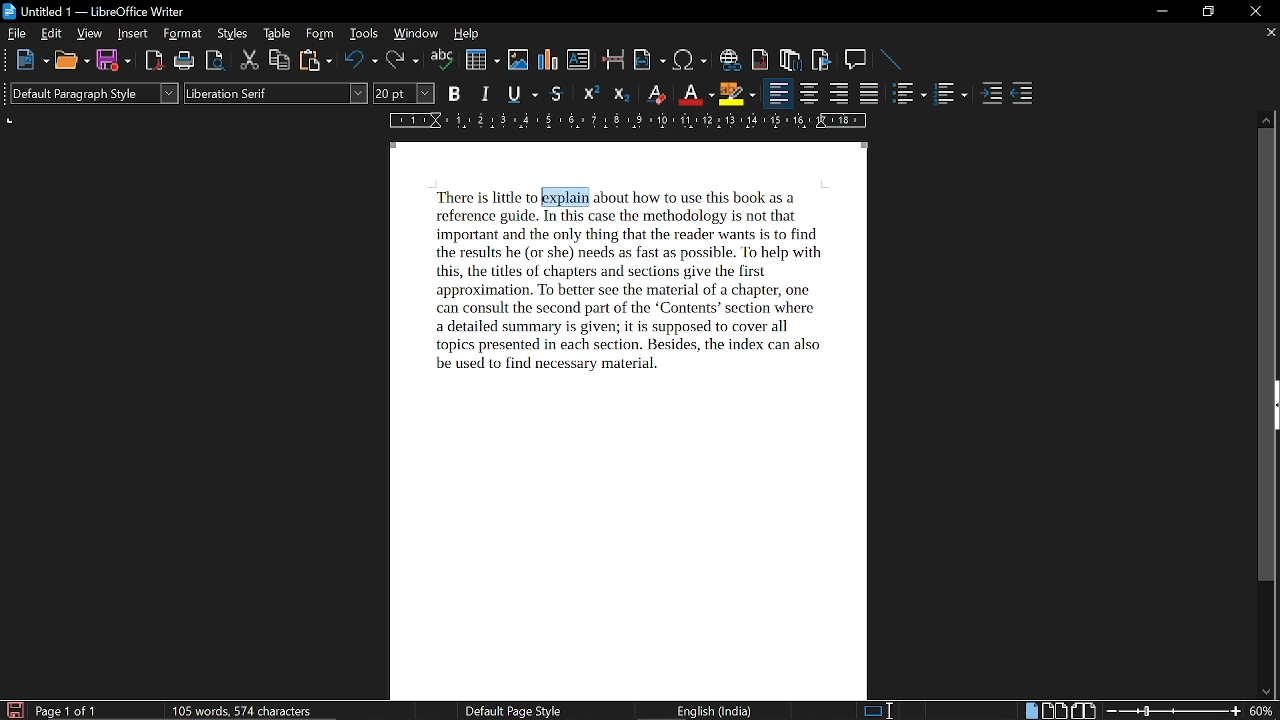  Describe the element at coordinates (1083, 711) in the screenshot. I see `book view` at that location.